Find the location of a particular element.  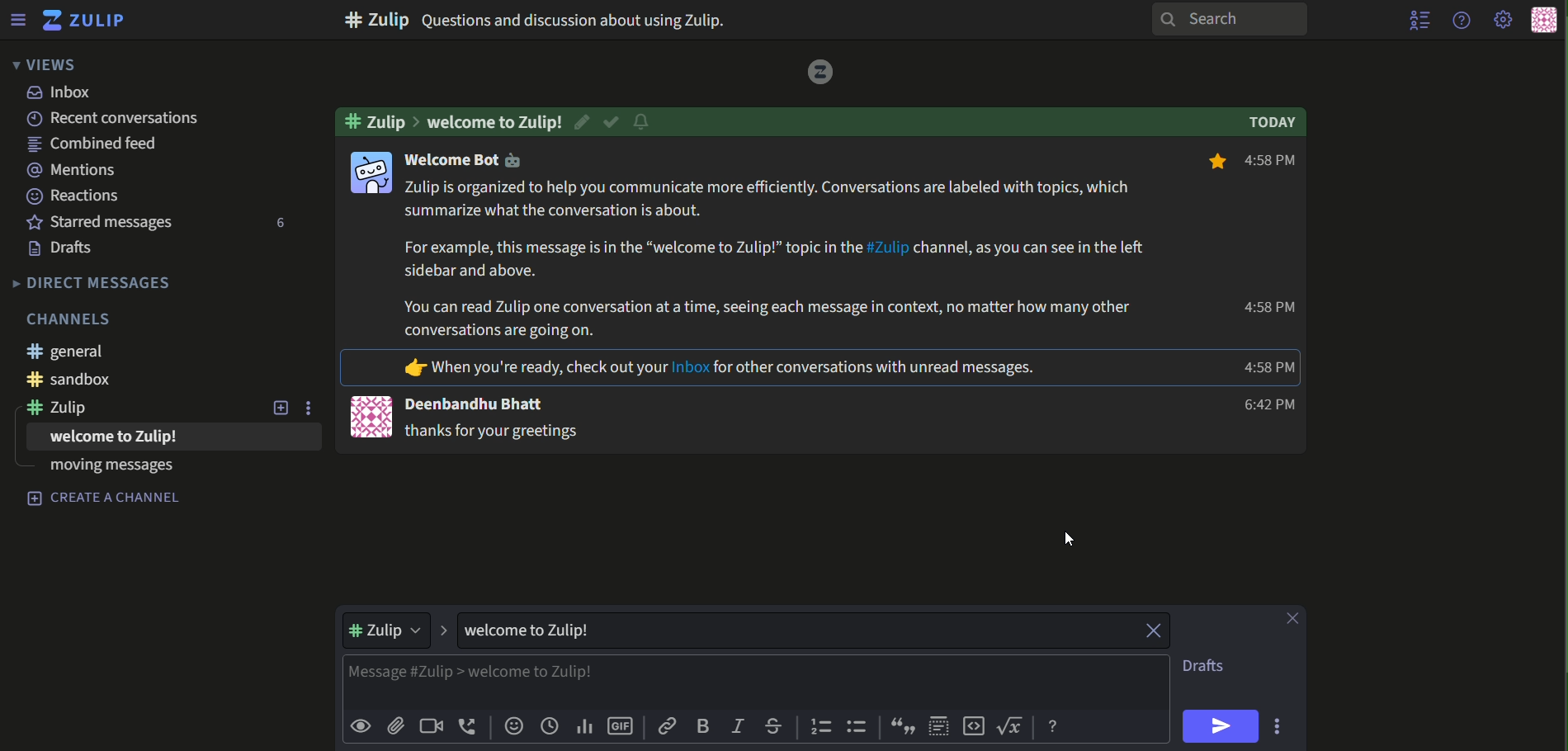

text is located at coordinates (106, 471).